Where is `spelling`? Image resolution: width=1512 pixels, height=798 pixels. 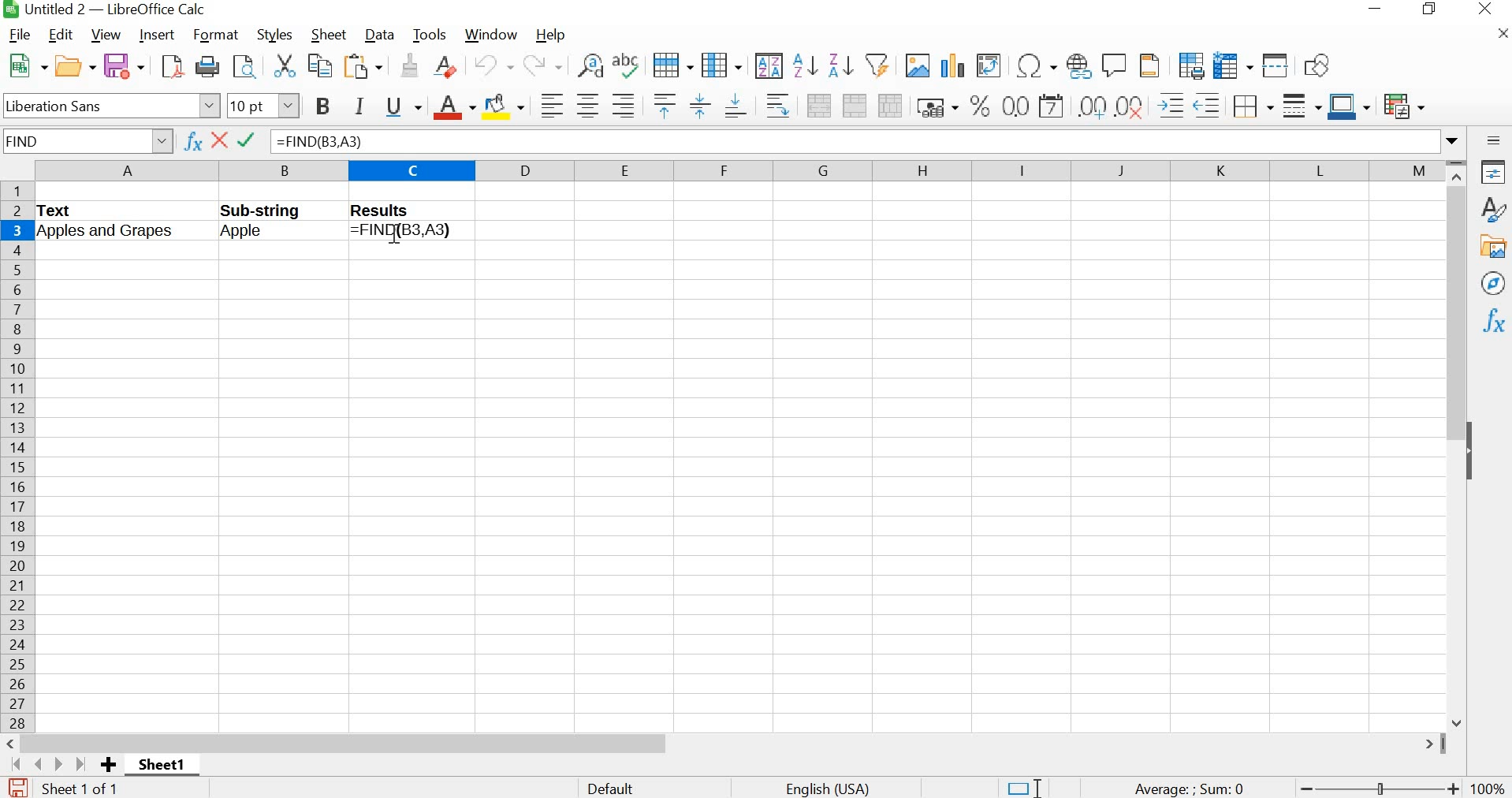 spelling is located at coordinates (624, 67).